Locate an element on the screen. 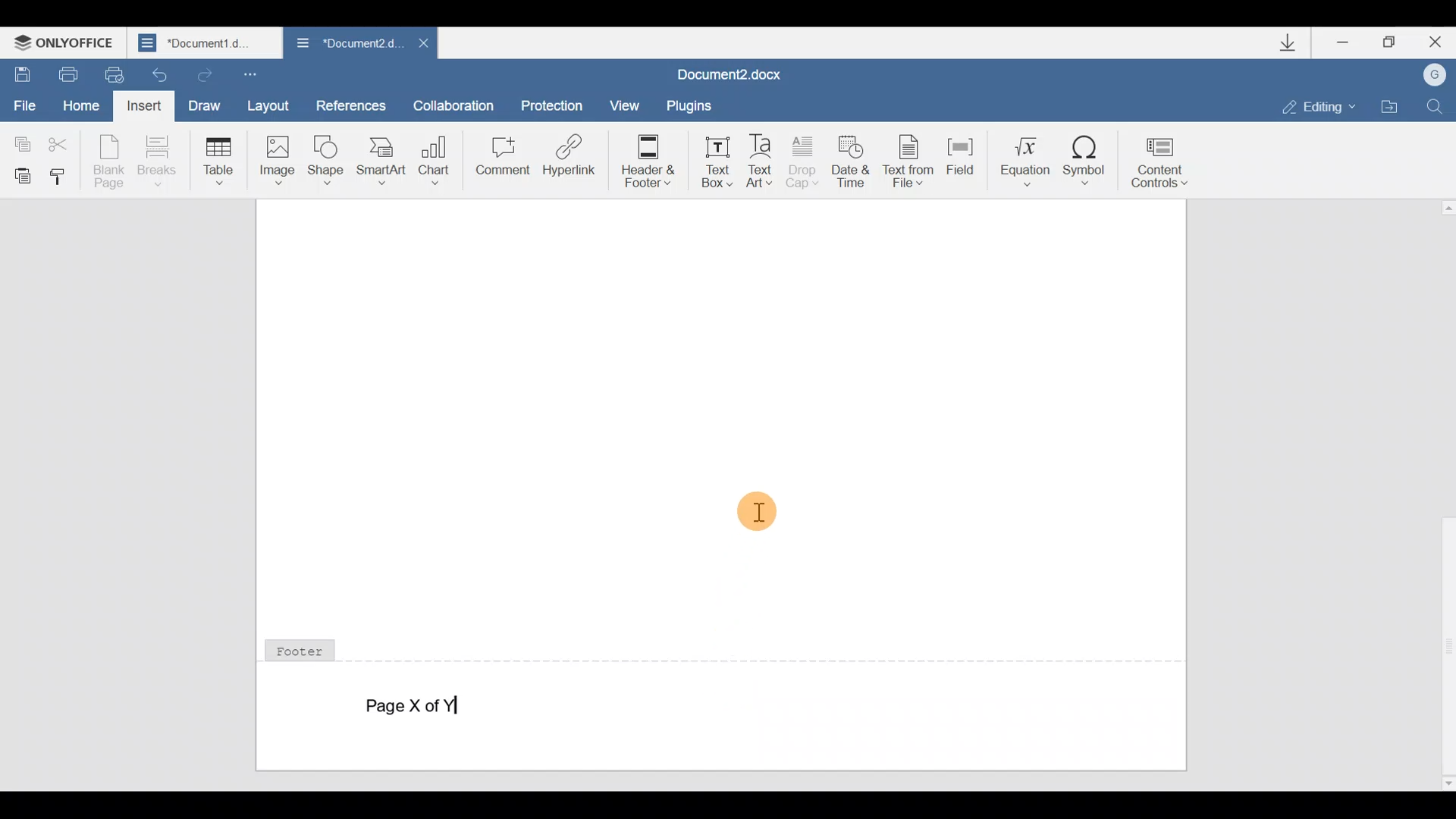 The height and width of the screenshot is (819, 1456). Maximize is located at coordinates (1387, 40).